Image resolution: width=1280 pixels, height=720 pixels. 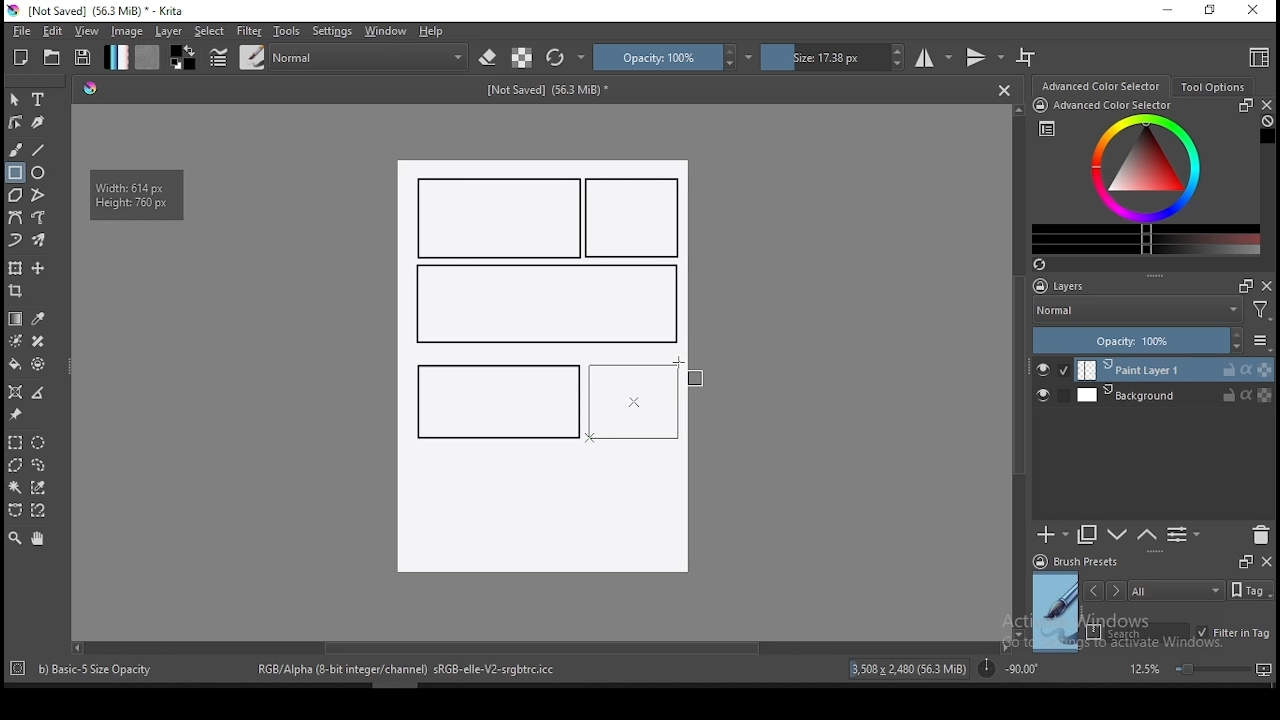 What do you see at coordinates (15, 364) in the screenshot?
I see `paint bucket tool` at bounding box center [15, 364].